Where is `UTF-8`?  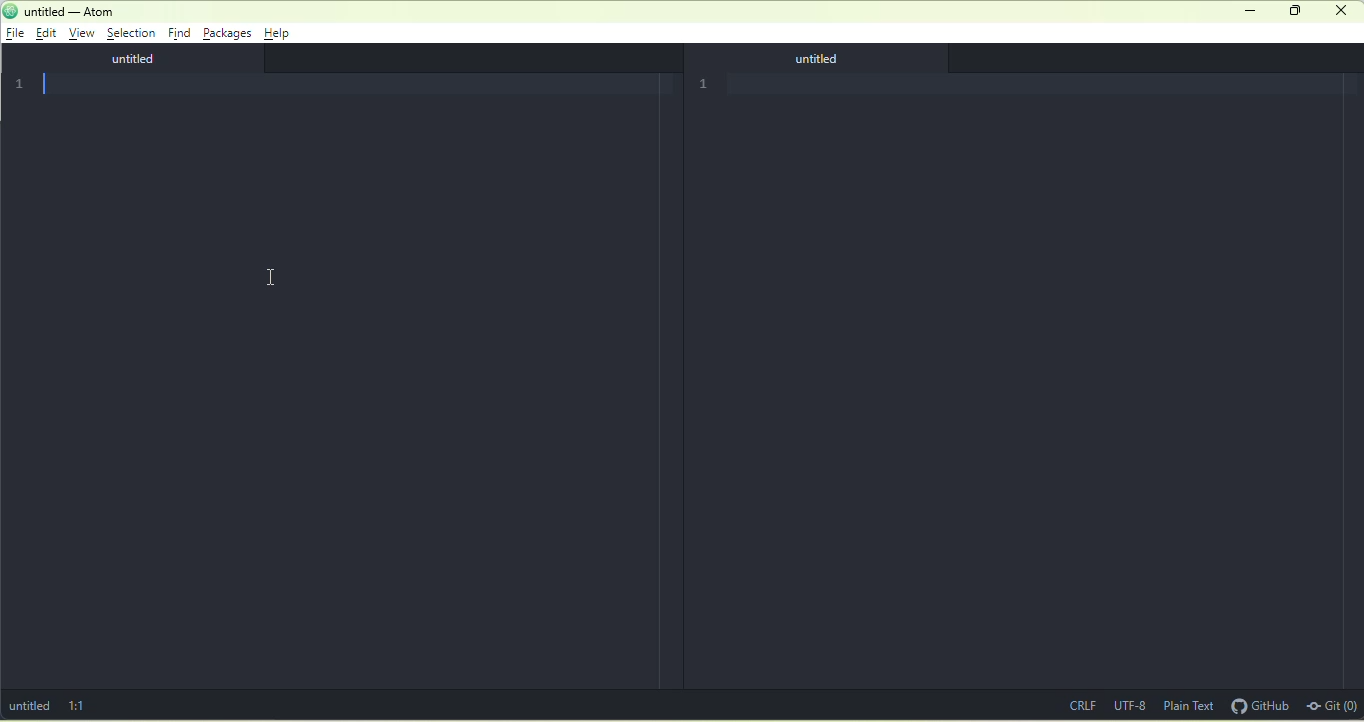
UTF-8 is located at coordinates (1130, 703).